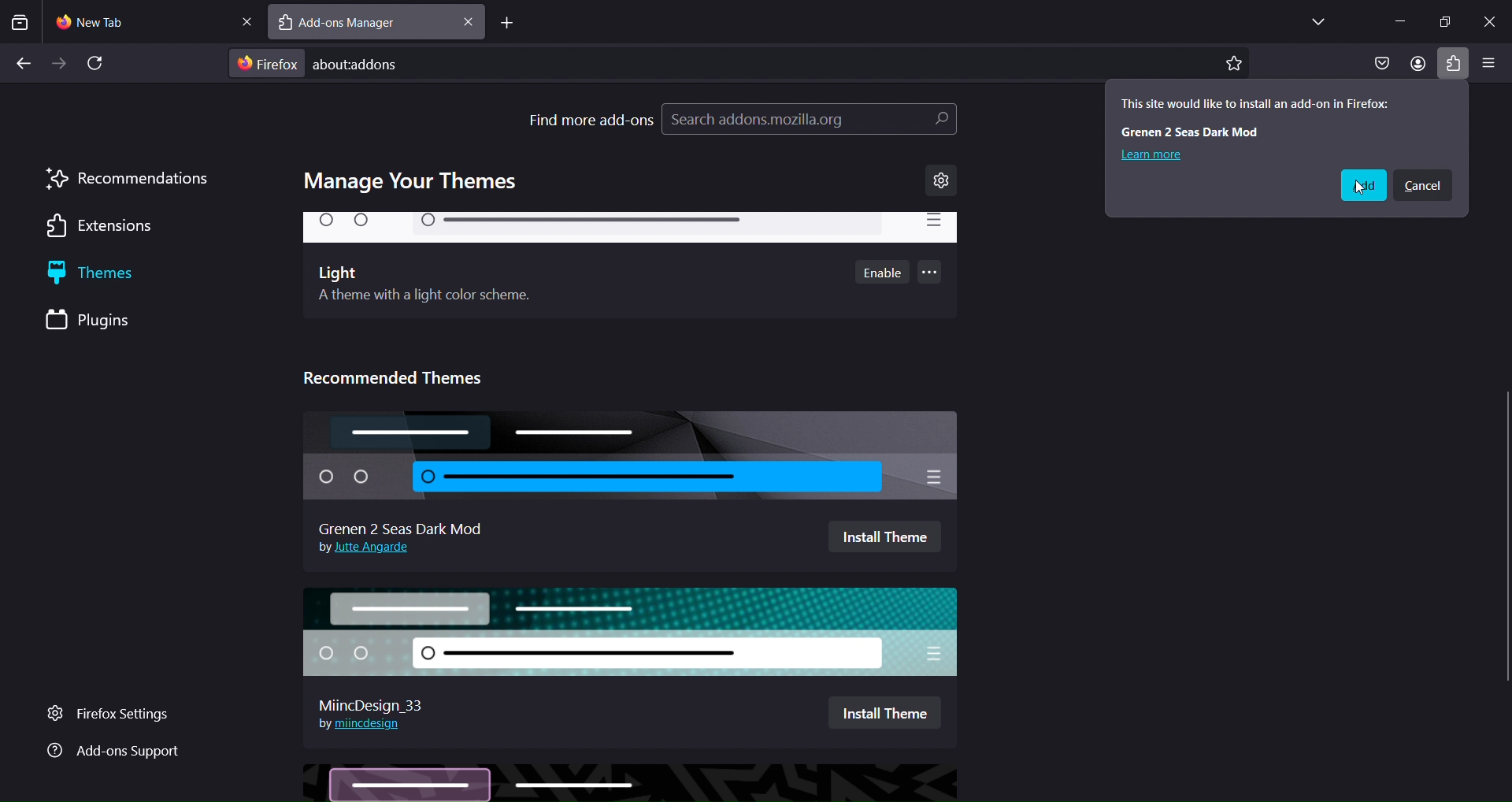 The width and height of the screenshot is (1512, 802). What do you see at coordinates (629, 230) in the screenshot?
I see `light` at bounding box center [629, 230].